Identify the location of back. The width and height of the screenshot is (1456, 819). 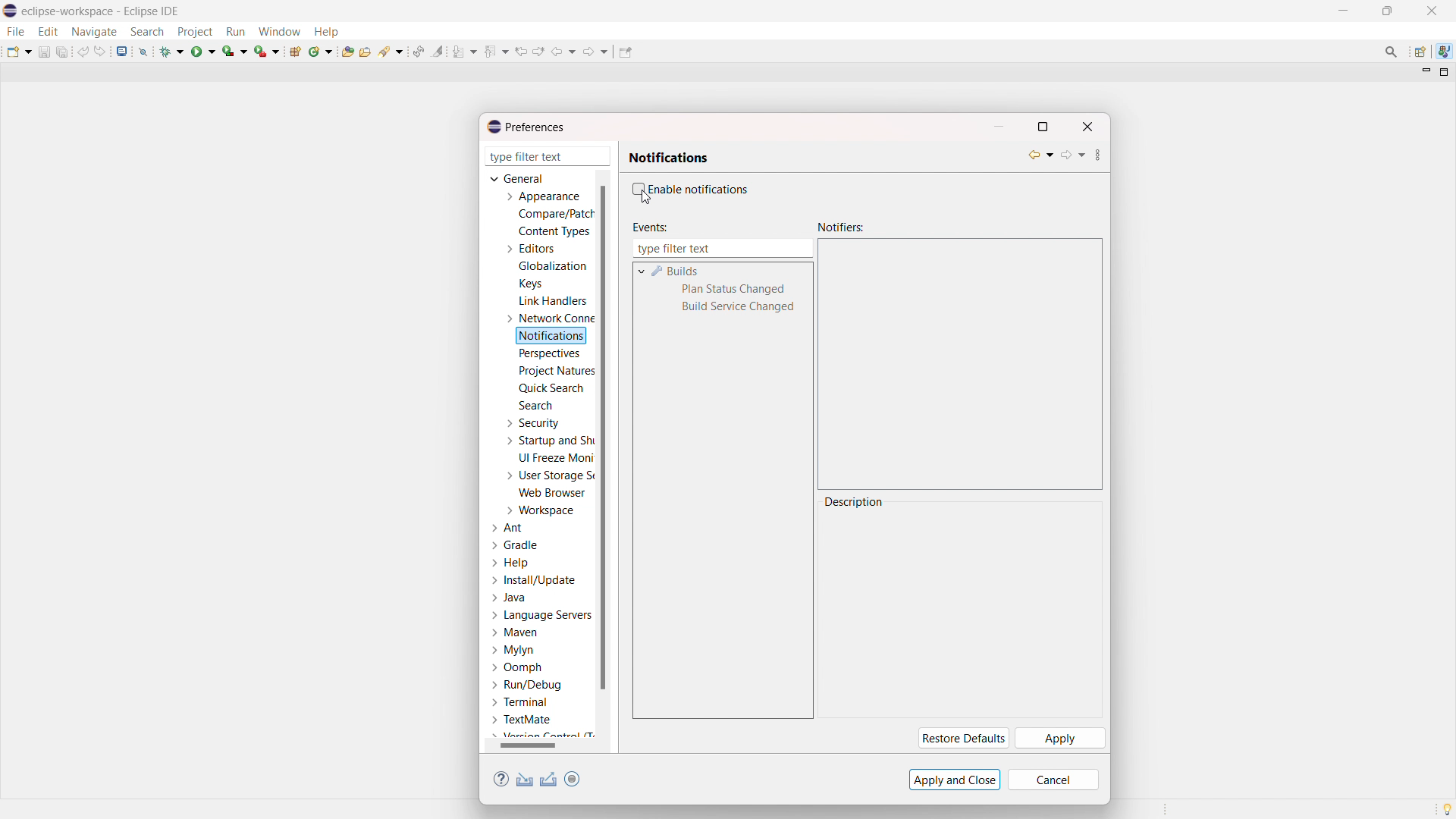
(1040, 155).